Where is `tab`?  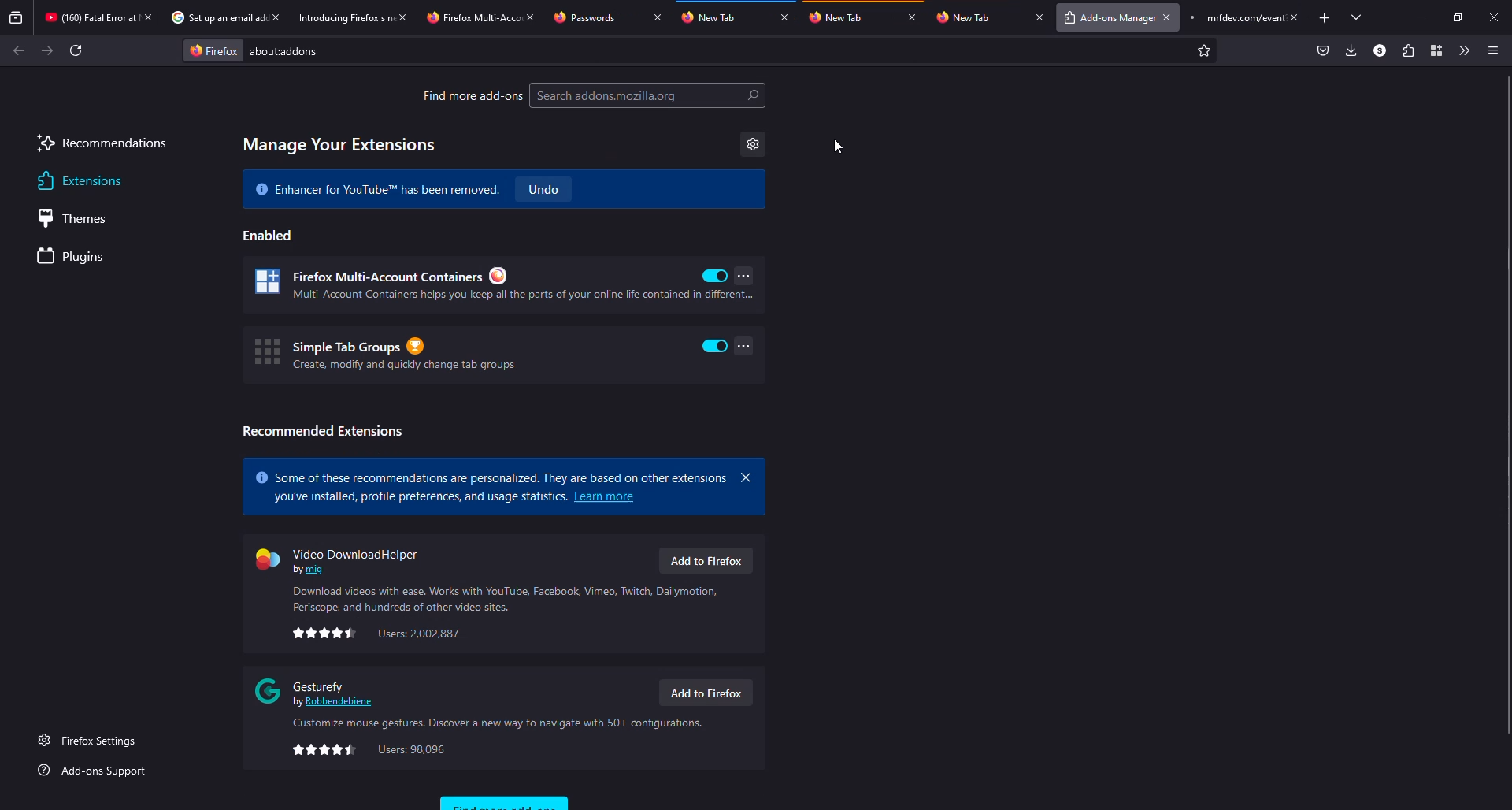
tab is located at coordinates (971, 16).